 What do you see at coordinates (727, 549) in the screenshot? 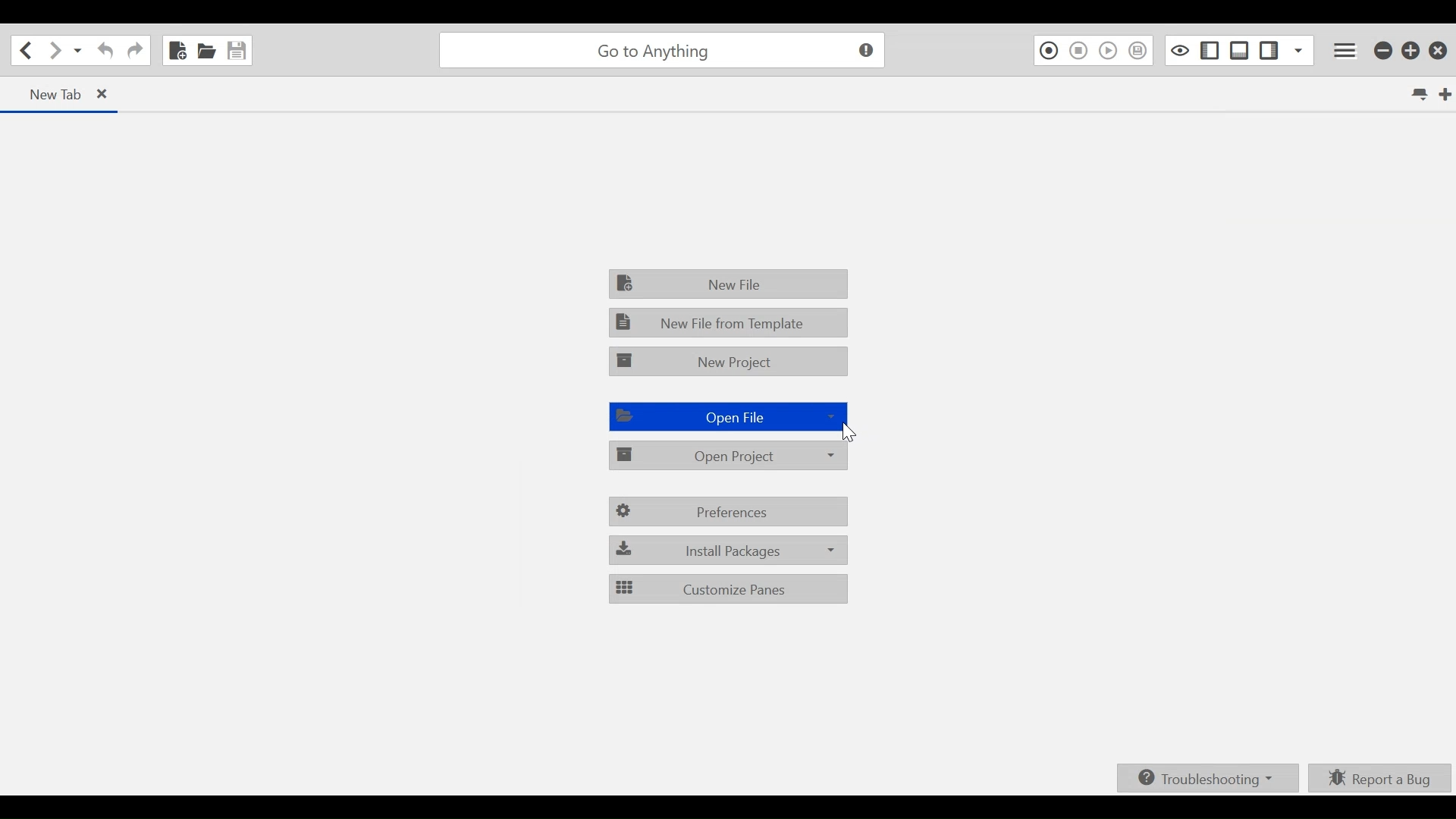
I see `Install packages` at bounding box center [727, 549].